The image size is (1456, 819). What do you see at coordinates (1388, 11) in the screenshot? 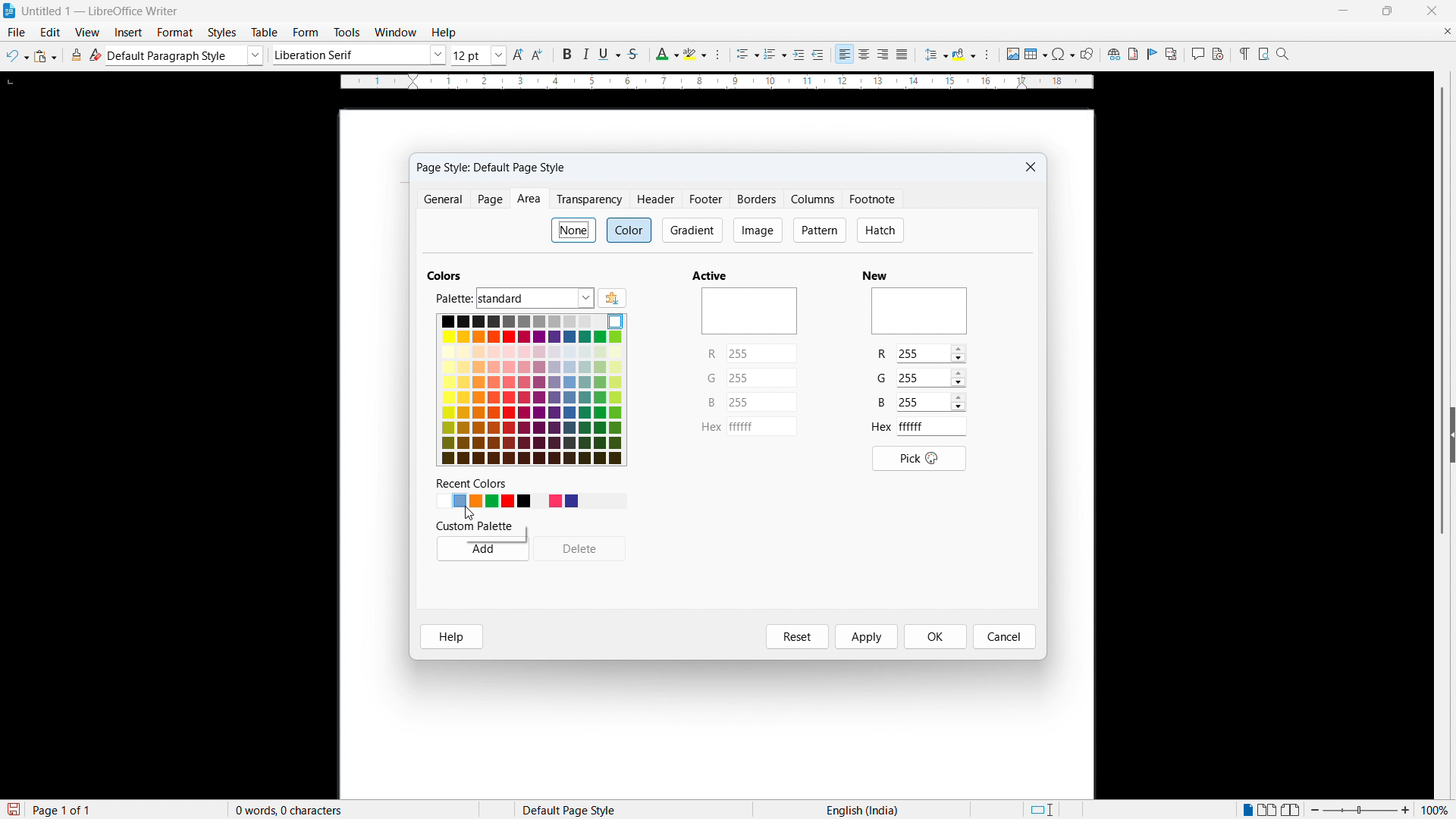
I see `Maximise ` at bounding box center [1388, 11].